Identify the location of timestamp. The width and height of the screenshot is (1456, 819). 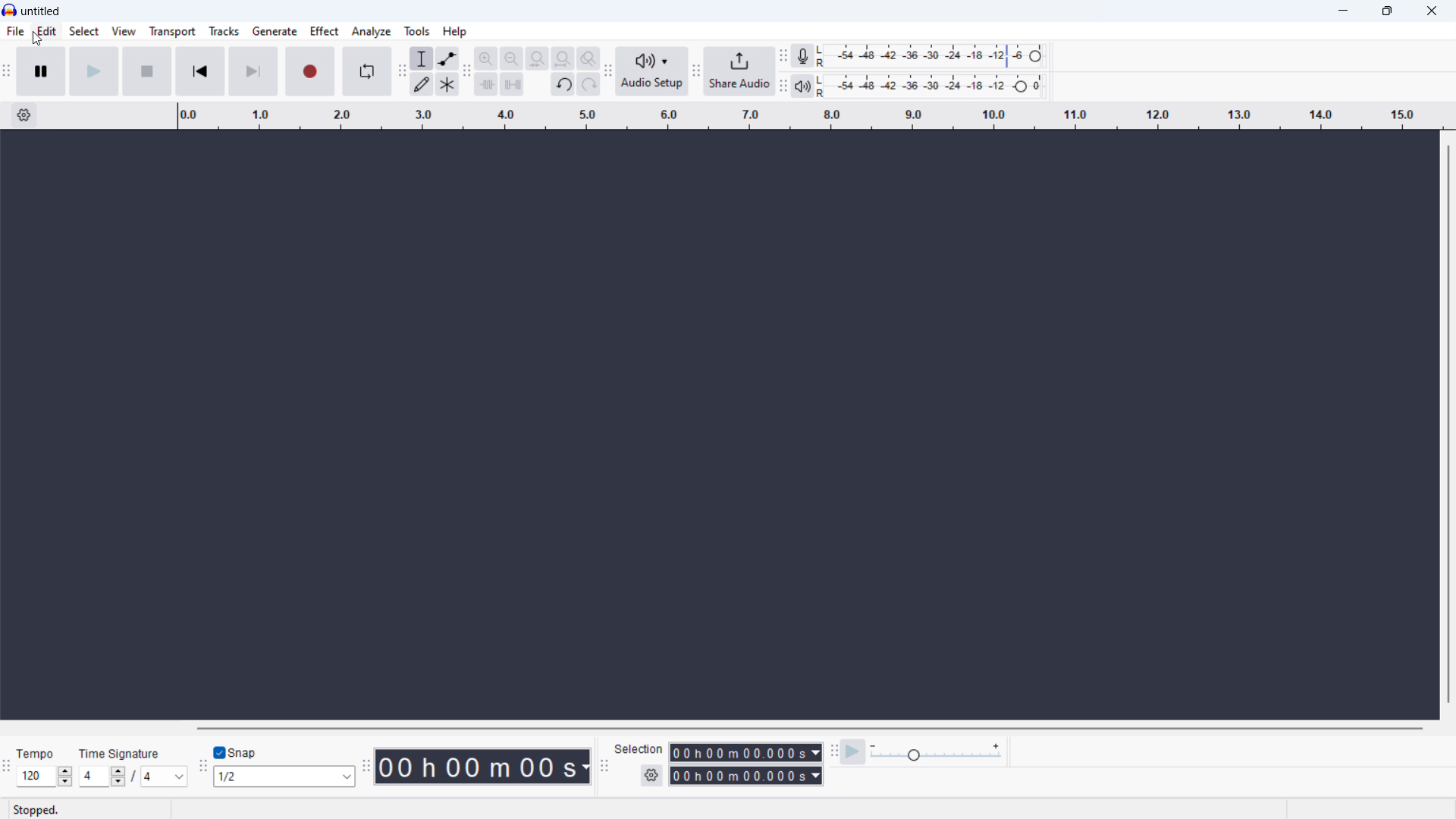
(485, 767).